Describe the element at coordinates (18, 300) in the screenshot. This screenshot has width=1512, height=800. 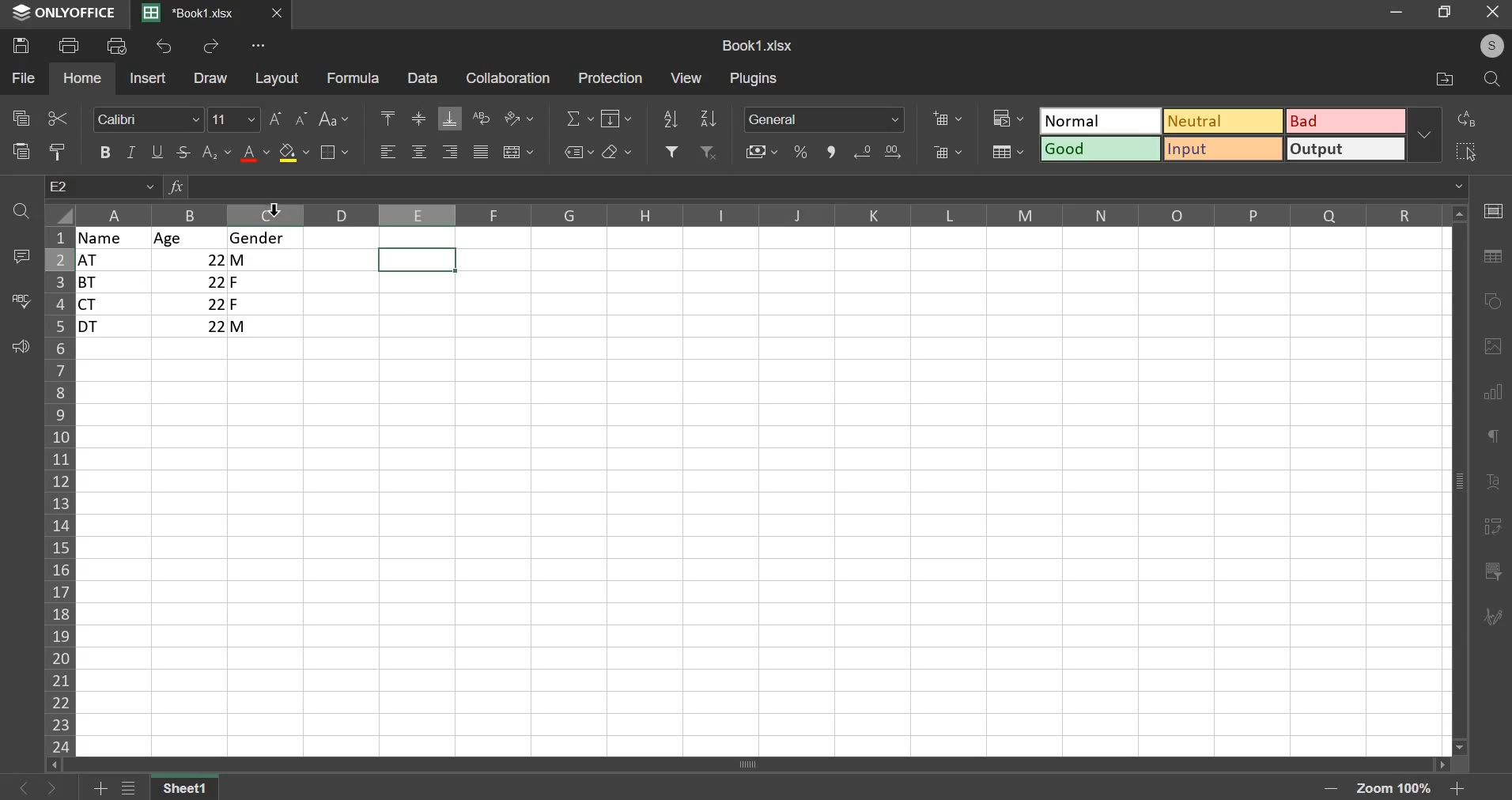
I see `spell check` at that location.